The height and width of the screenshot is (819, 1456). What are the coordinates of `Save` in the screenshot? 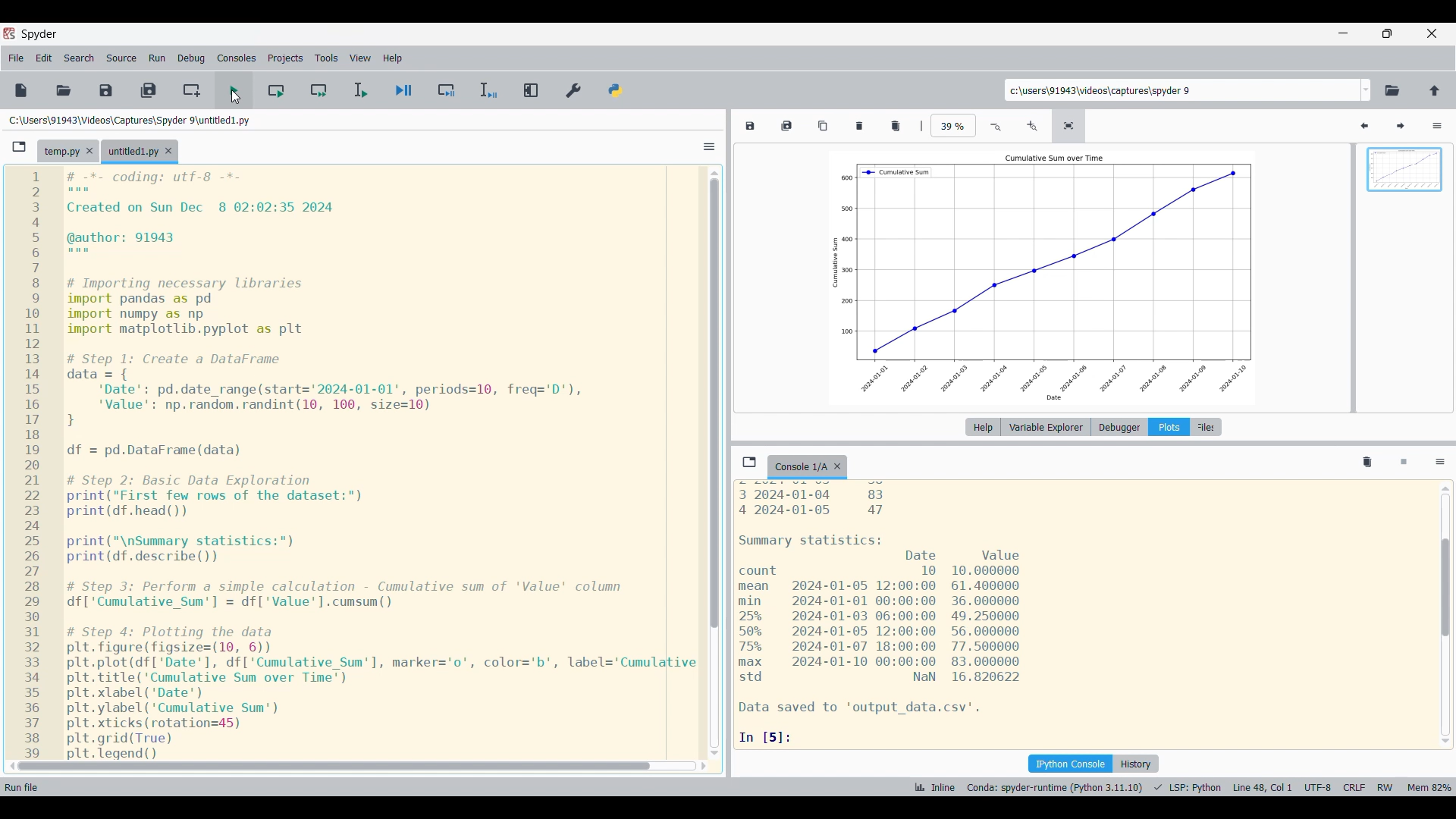 It's located at (105, 89).